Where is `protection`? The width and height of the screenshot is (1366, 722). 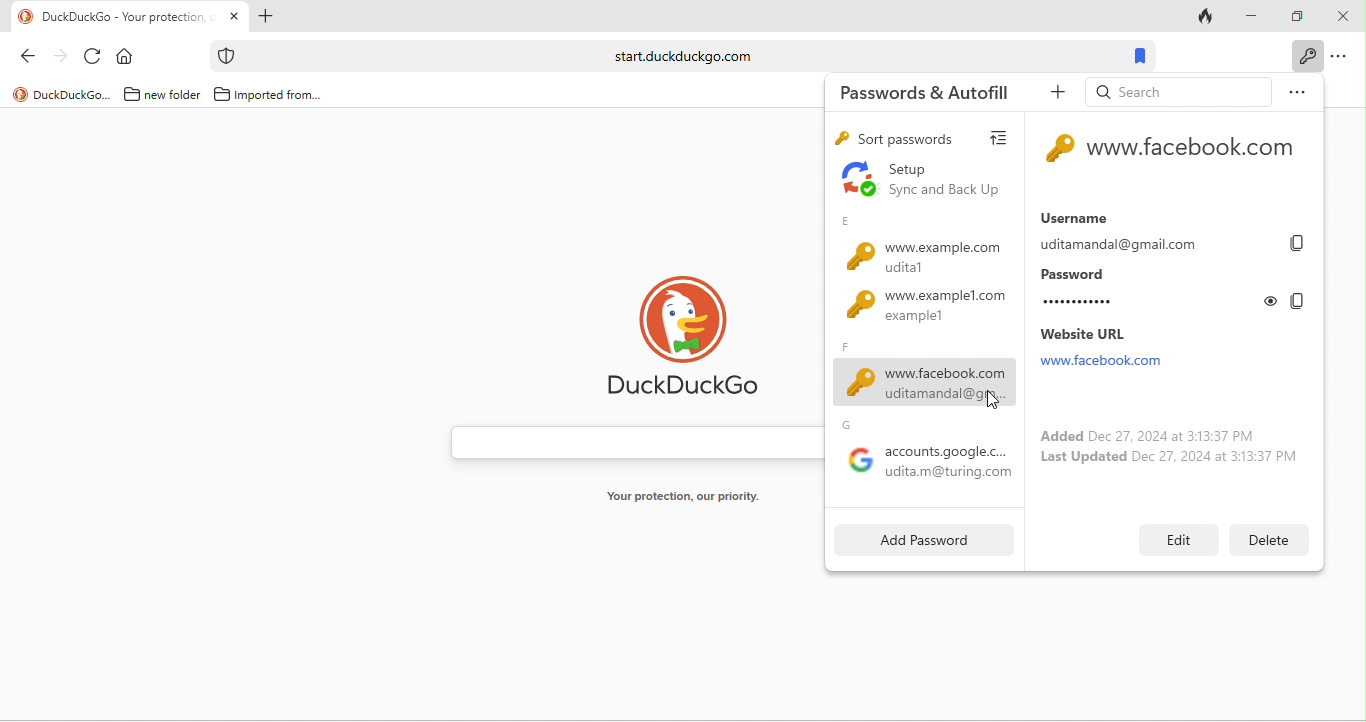
protection is located at coordinates (225, 56).